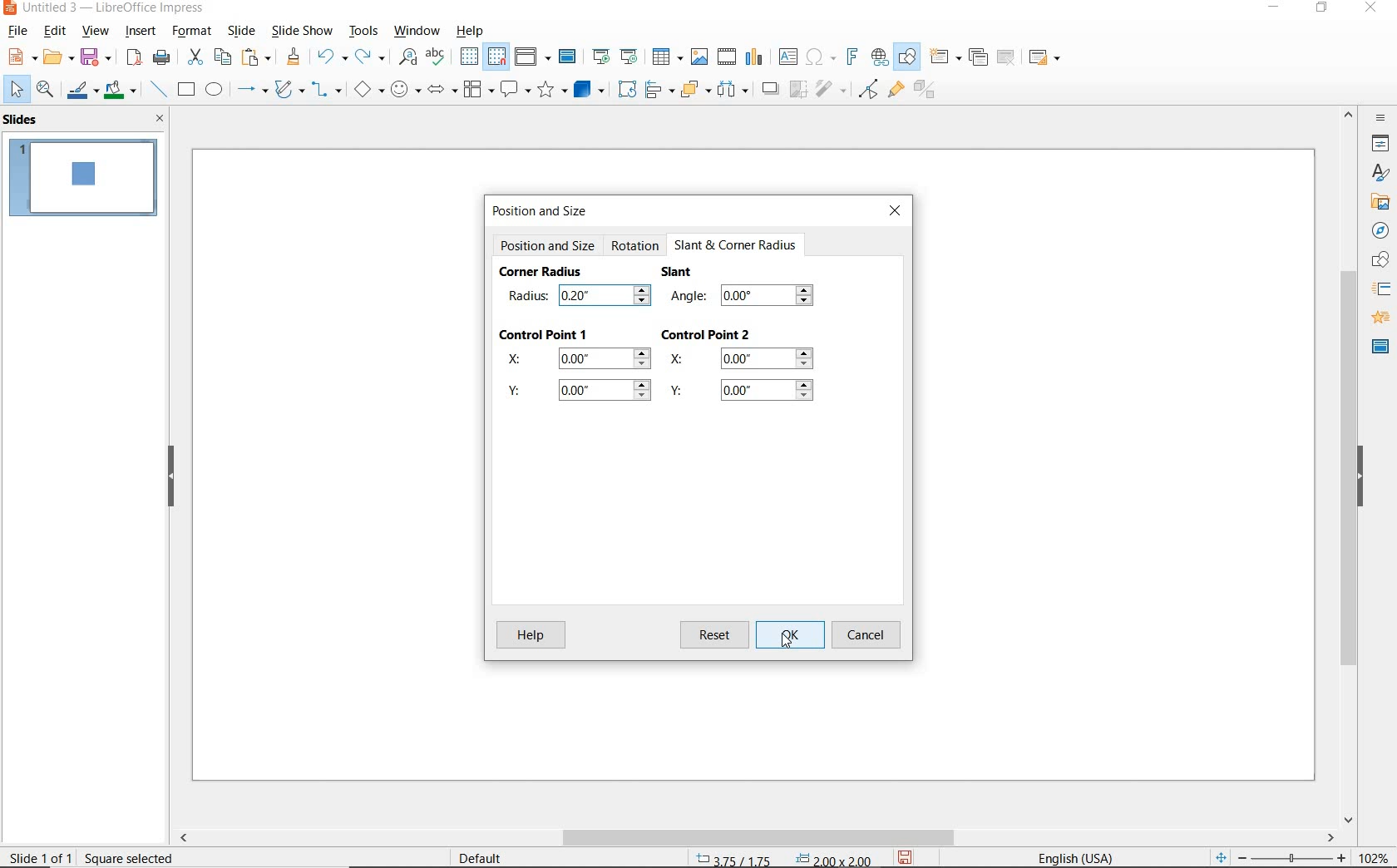  What do you see at coordinates (57, 57) in the screenshot?
I see `open` at bounding box center [57, 57].